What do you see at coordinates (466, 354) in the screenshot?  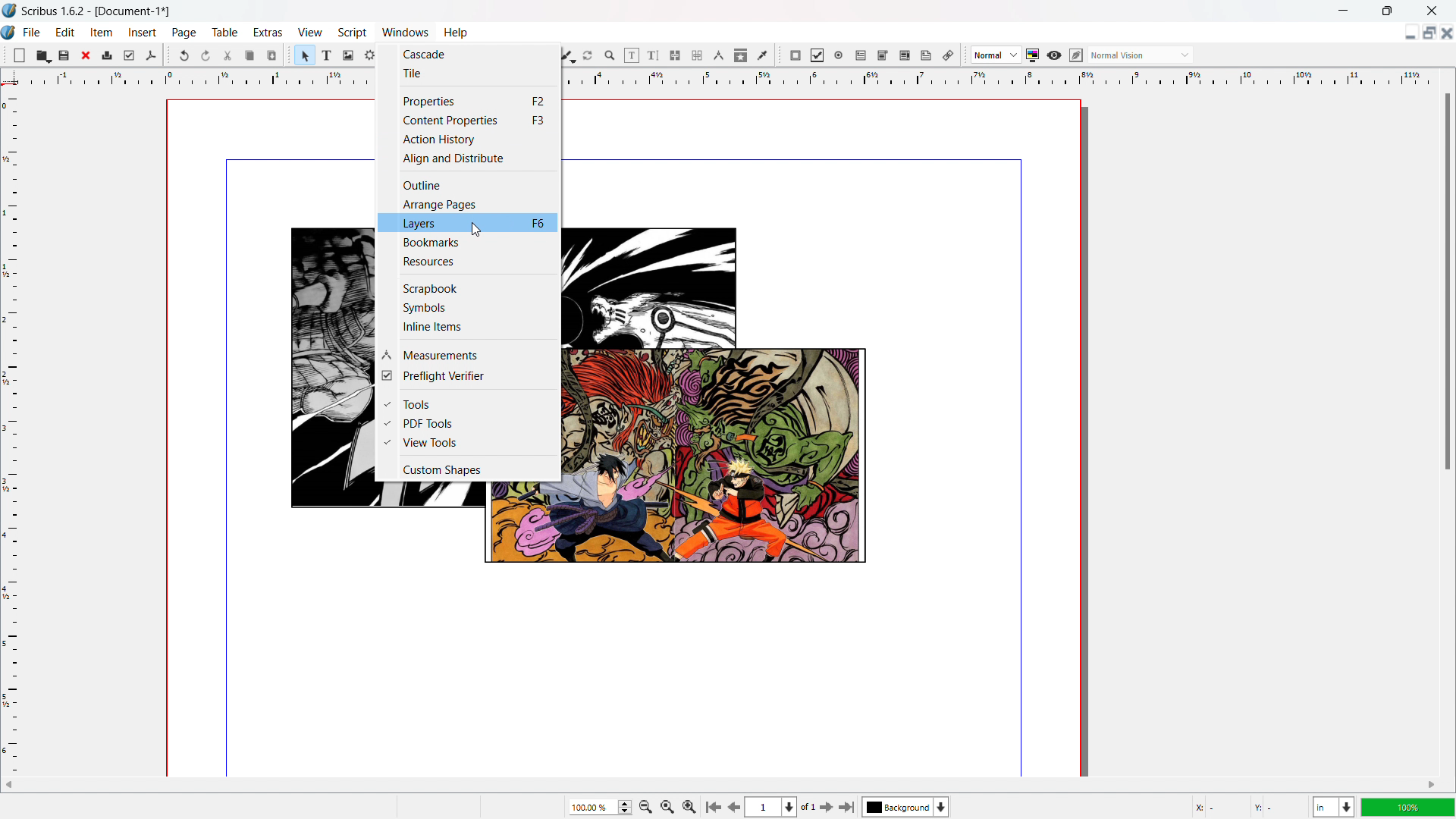 I see `measurements` at bounding box center [466, 354].